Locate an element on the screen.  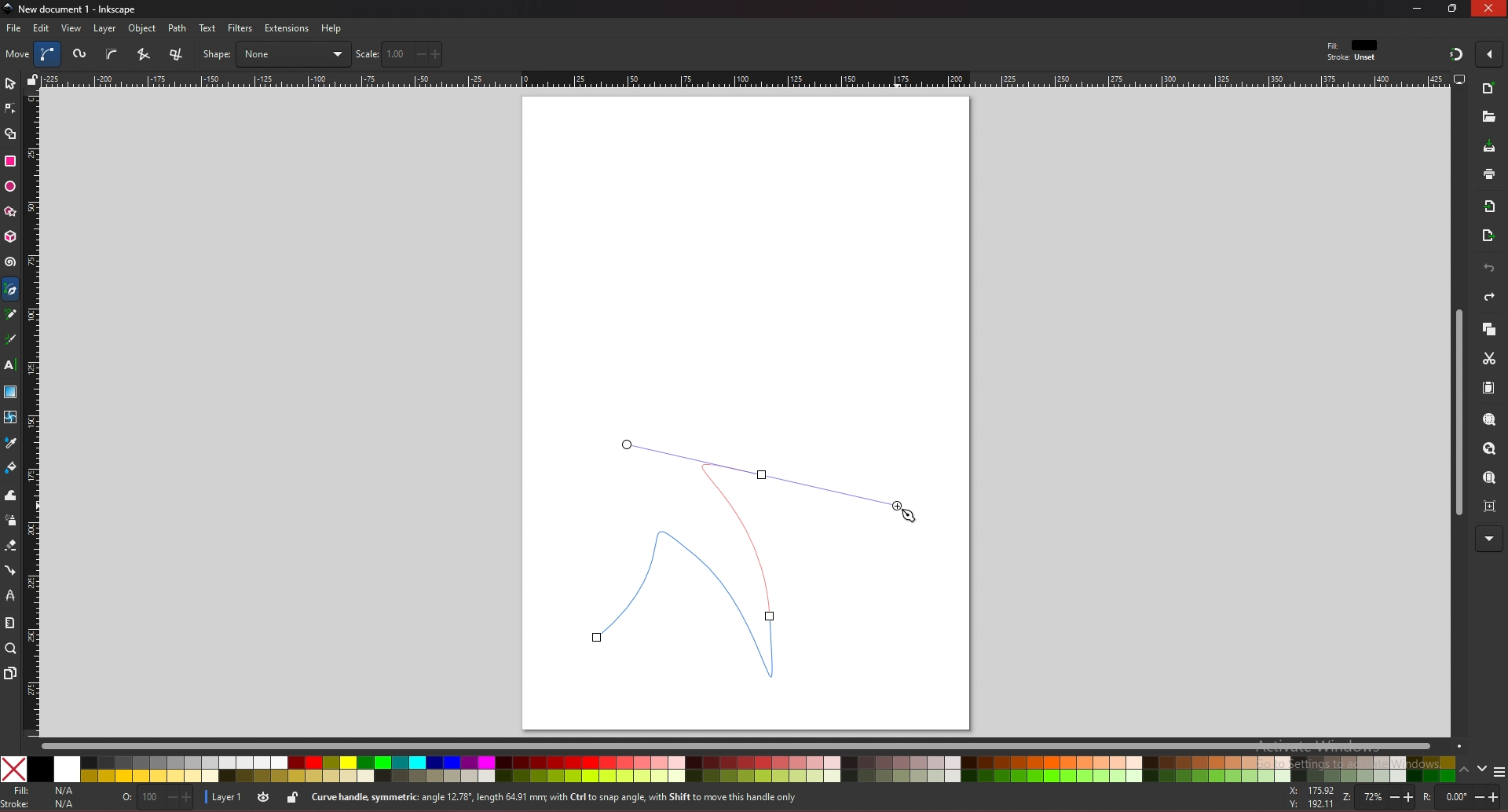
spiro path is located at coordinates (81, 55).